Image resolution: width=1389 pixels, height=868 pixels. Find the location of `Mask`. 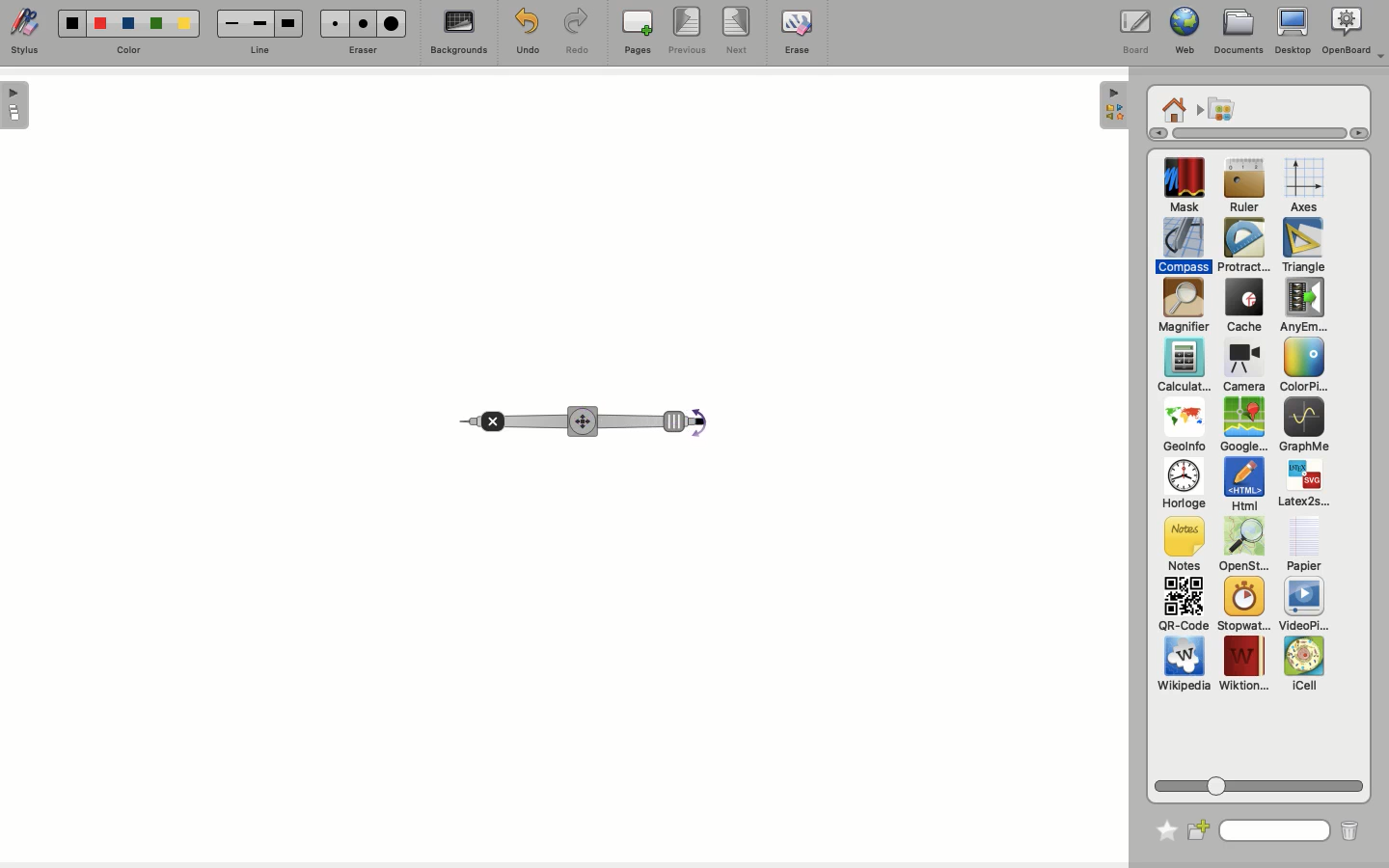

Mask is located at coordinates (1185, 187).